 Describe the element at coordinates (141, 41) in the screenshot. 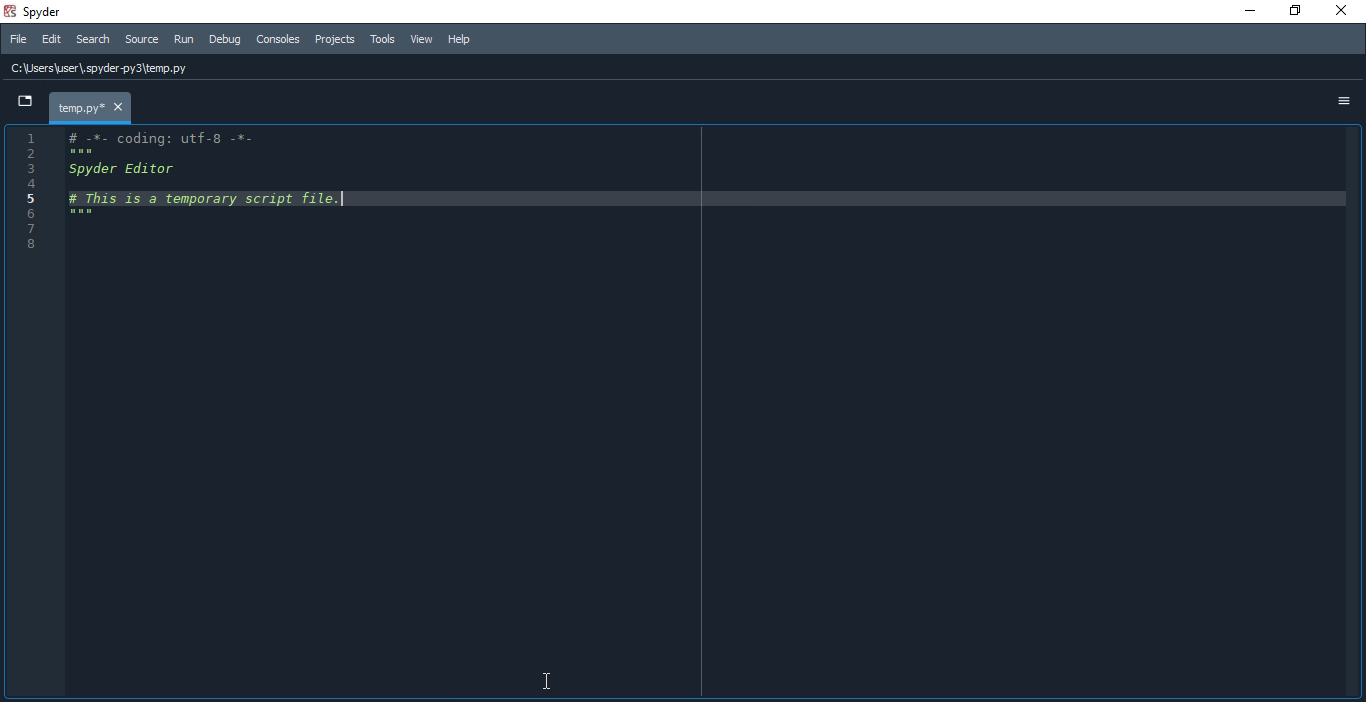

I see `source ` at that location.